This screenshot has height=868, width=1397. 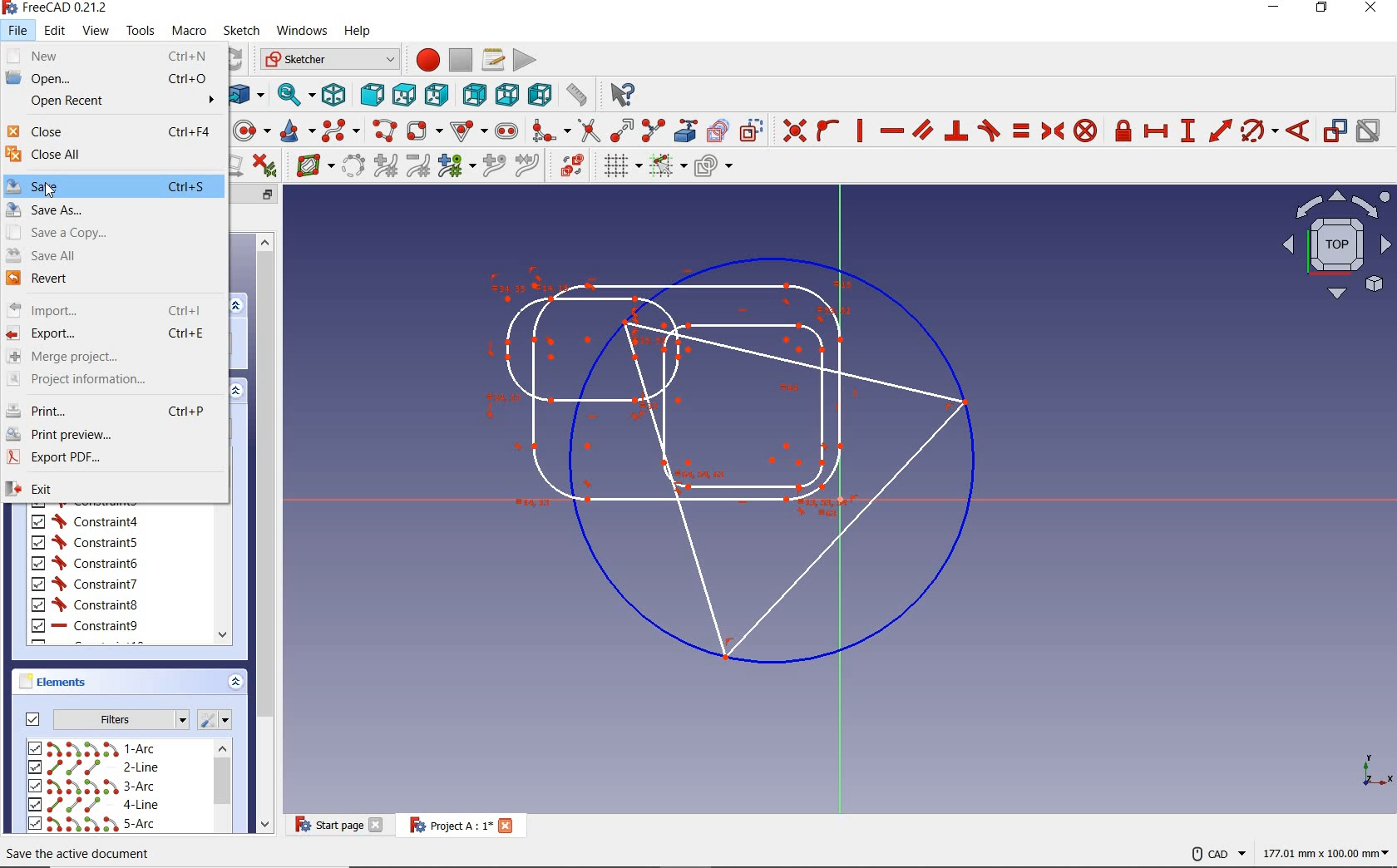 What do you see at coordinates (246, 96) in the screenshot?
I see `go to linked object` at bounding box center [246, 96].